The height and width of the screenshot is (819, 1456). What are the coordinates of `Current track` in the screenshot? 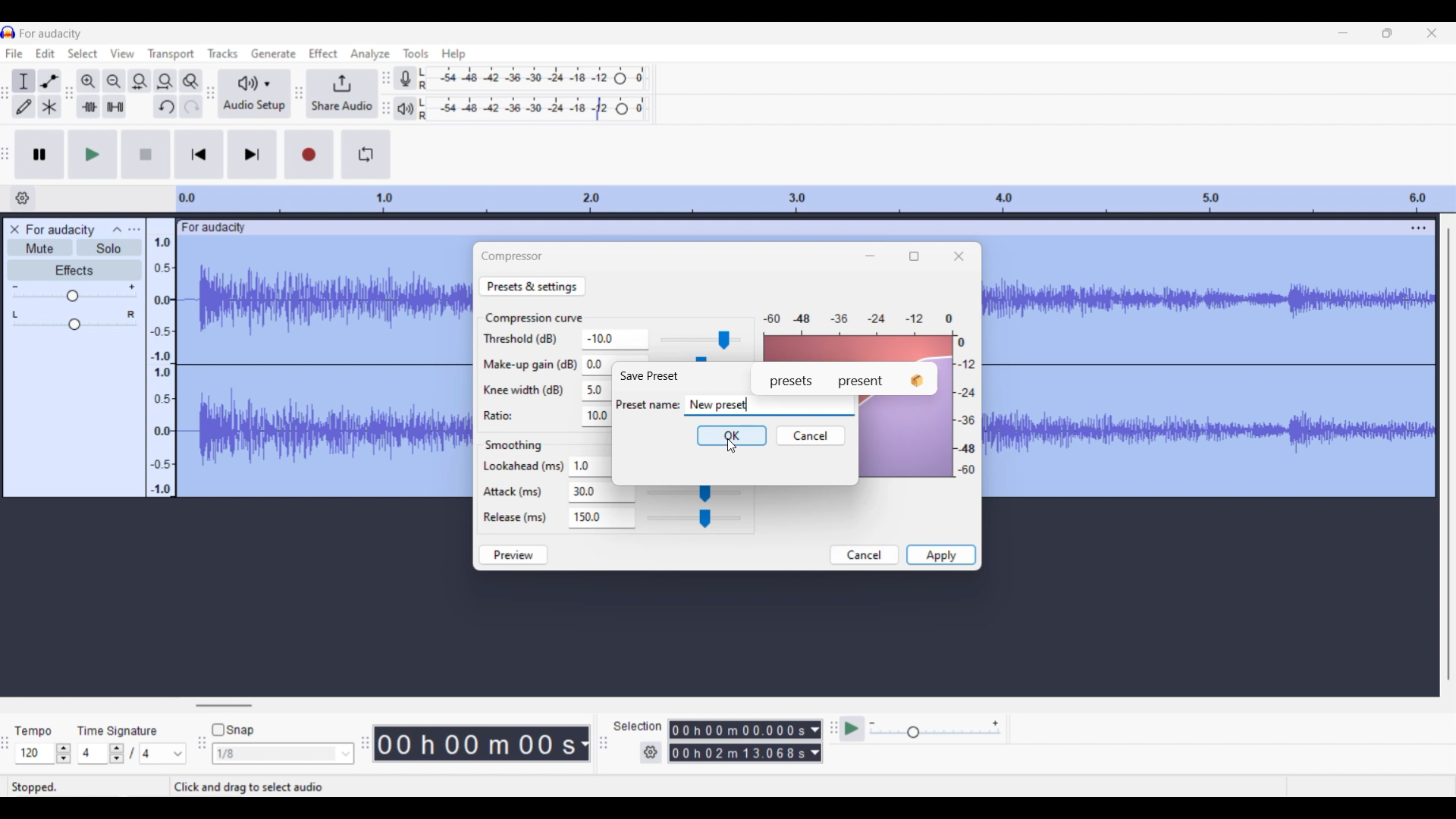 It's located at (325, 369).